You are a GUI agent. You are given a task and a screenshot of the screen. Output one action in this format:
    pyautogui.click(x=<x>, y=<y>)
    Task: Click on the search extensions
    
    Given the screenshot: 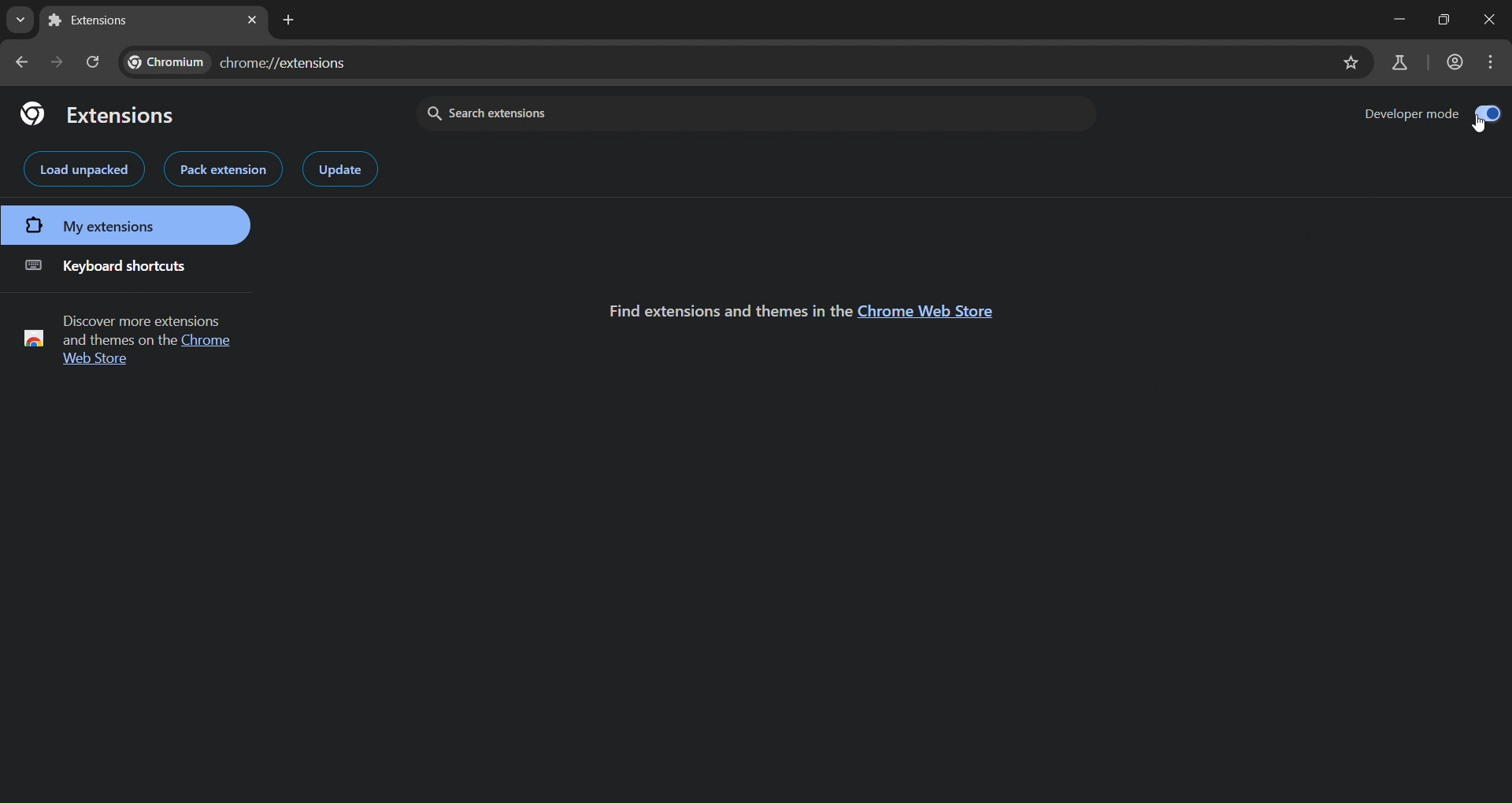 What is the action you would take?
    pyautogui.click(x=599, y=112)
    